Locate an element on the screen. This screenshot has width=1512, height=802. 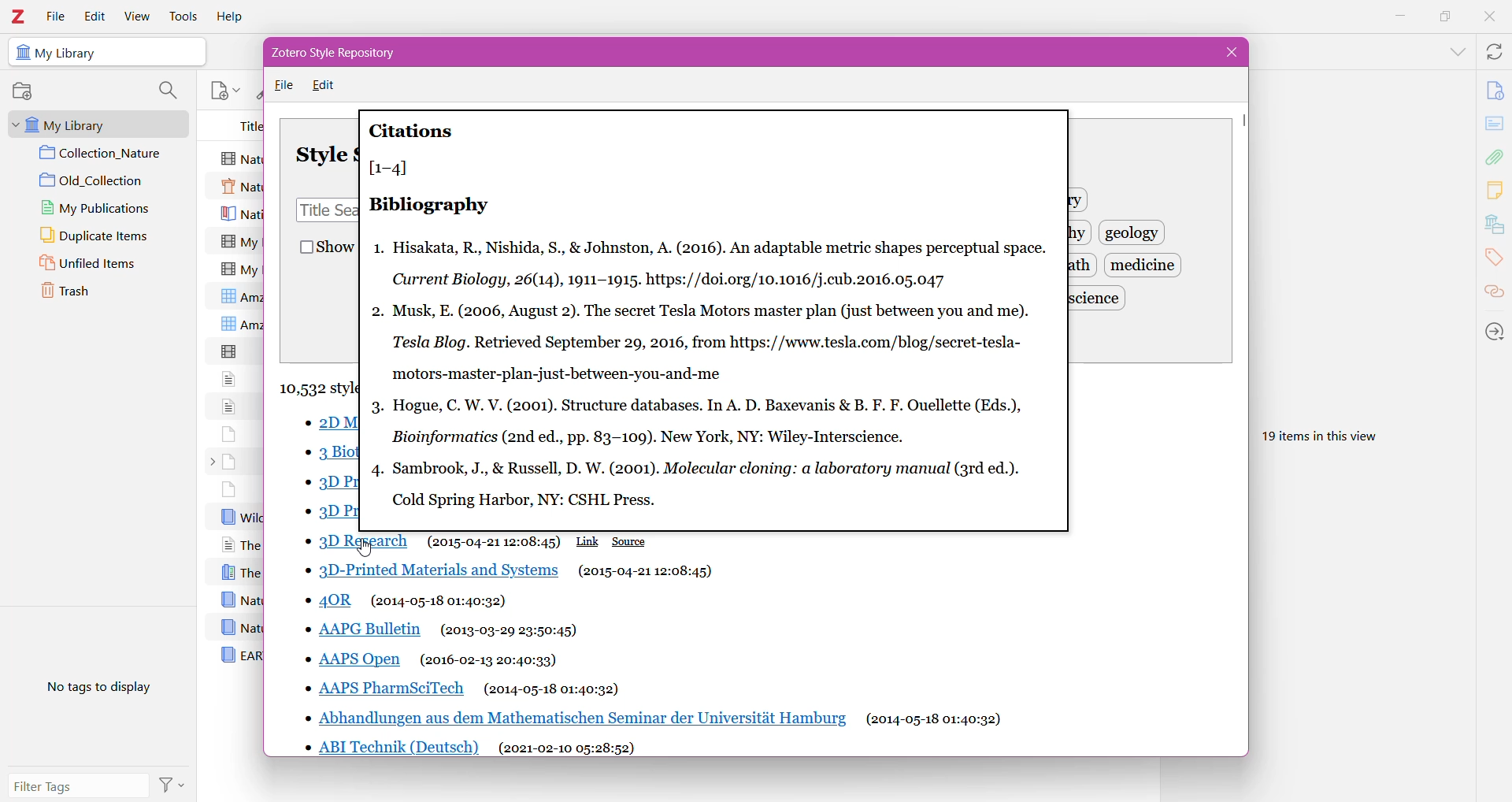
New Collection is located at coordinates (26, 91).